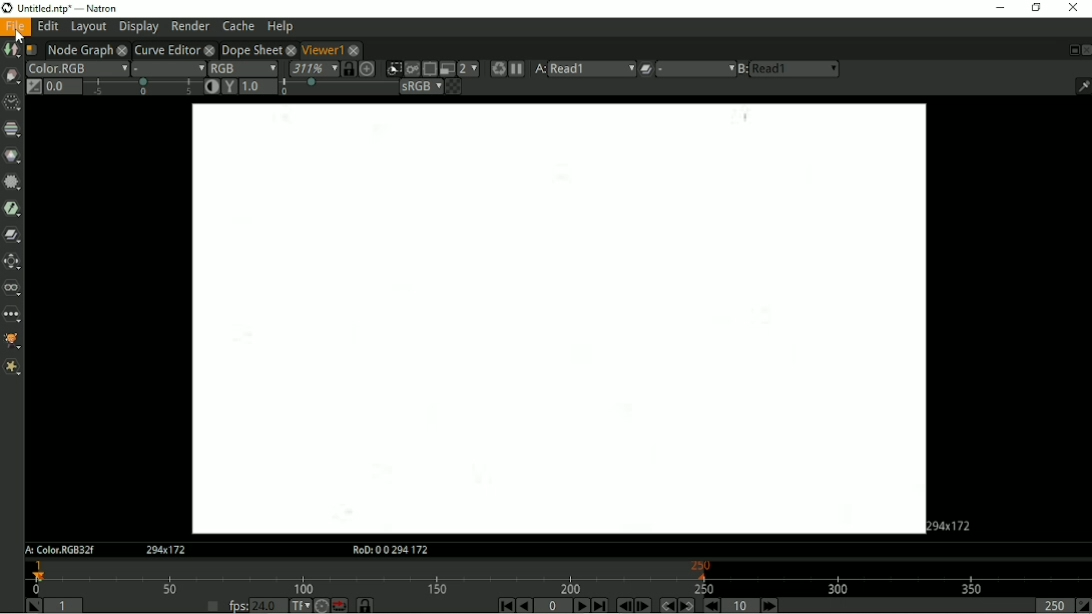 This screenshot has height=614, width=1092. Describe the element at coordinates (421, 87) in the screenshot. I see `Viewer color process` at that location.